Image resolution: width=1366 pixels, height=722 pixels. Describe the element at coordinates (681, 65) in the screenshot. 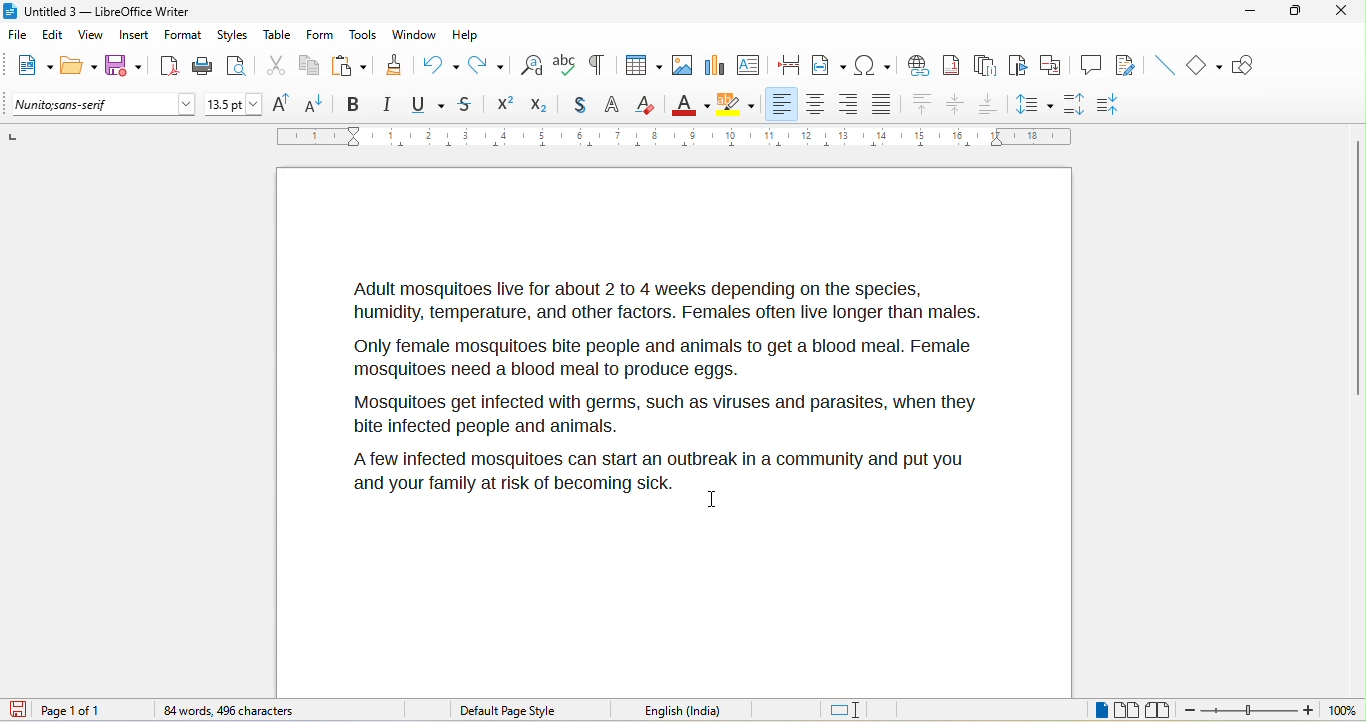

I see `image` at that location.